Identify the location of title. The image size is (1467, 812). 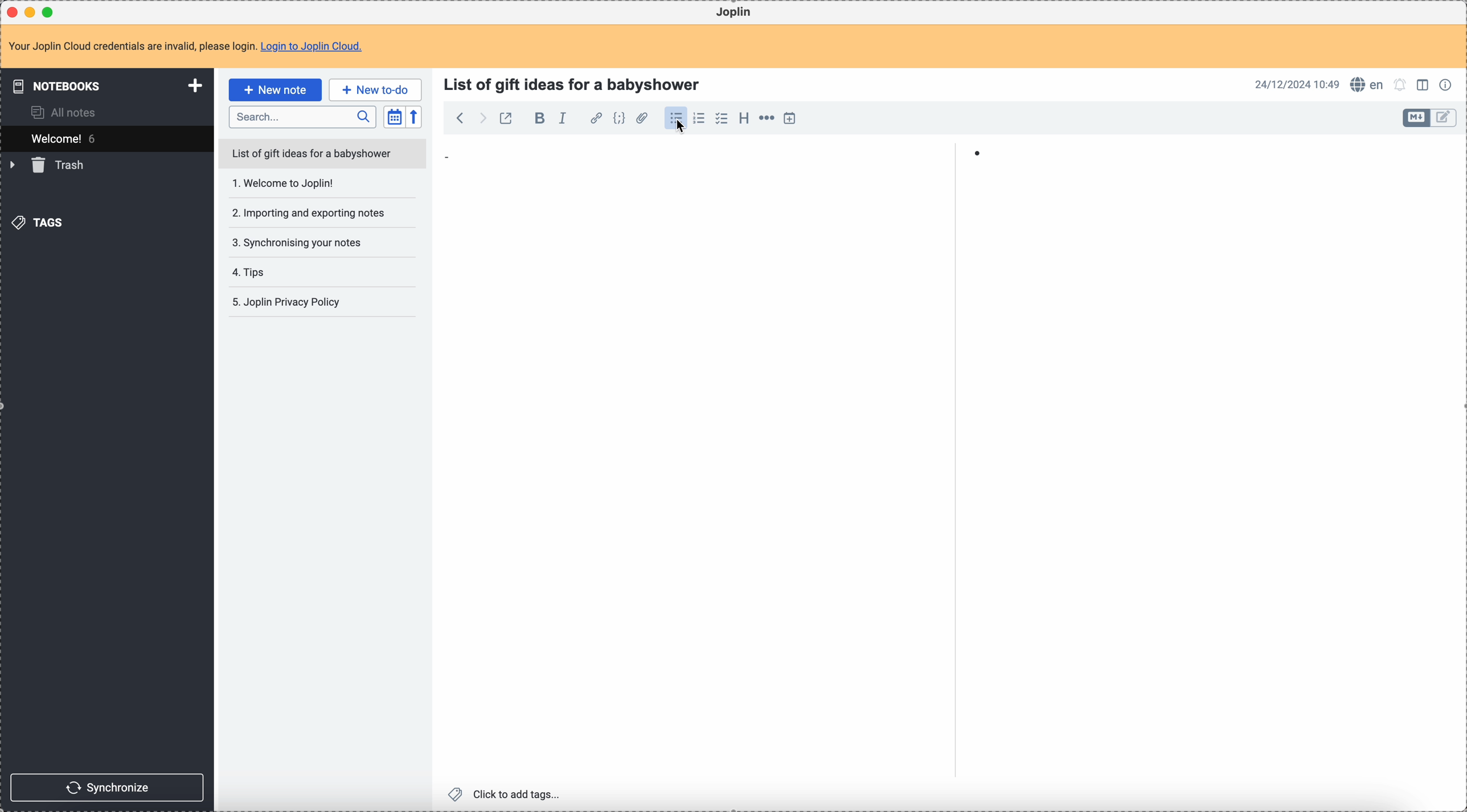
(575, 83).